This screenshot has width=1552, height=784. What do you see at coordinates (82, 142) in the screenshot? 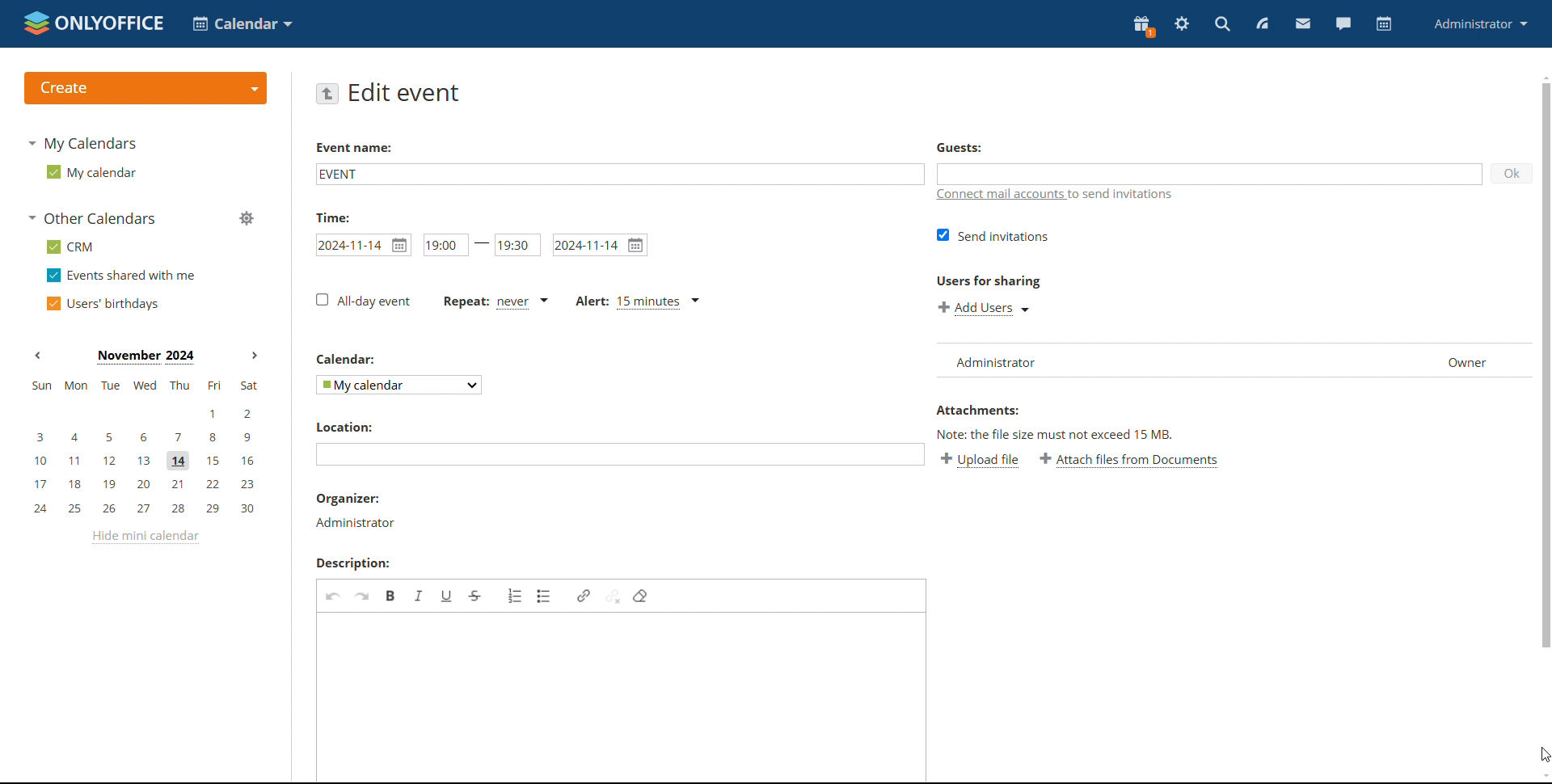
I see `my calendars` at bounding box center [82, 142].